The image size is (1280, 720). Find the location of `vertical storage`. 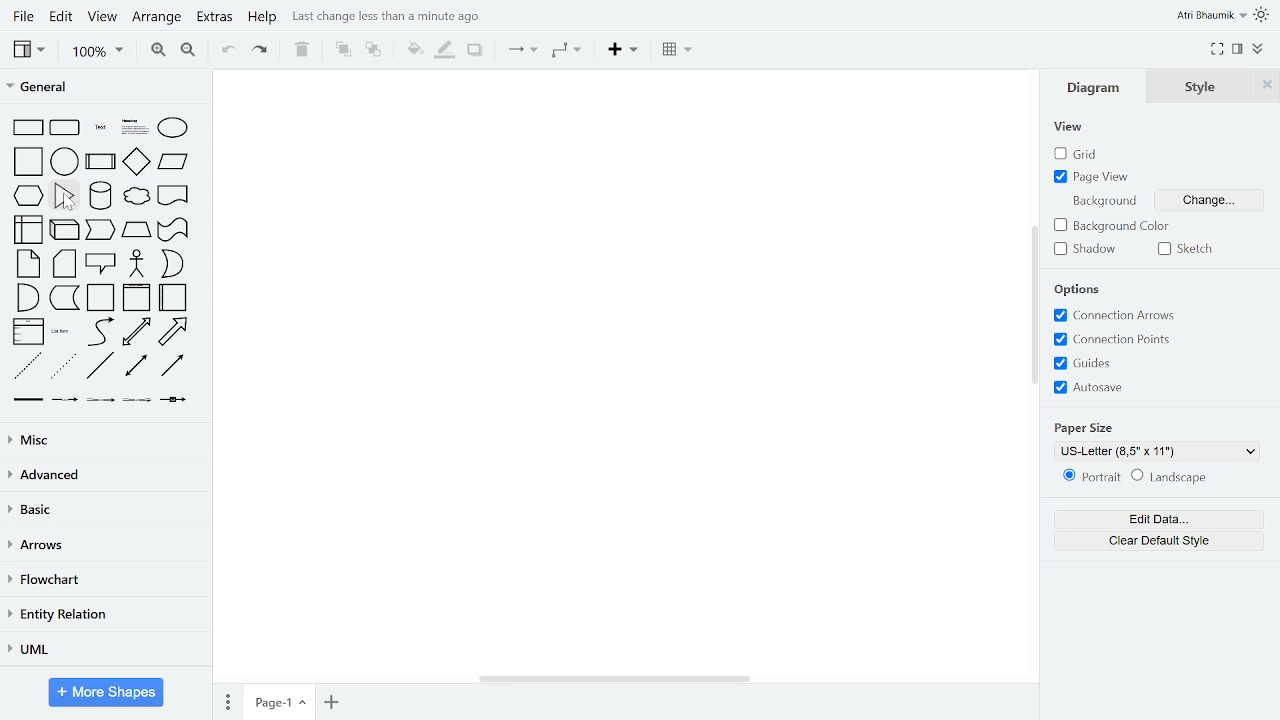

vertical storage is located at coordinates (136, 298).